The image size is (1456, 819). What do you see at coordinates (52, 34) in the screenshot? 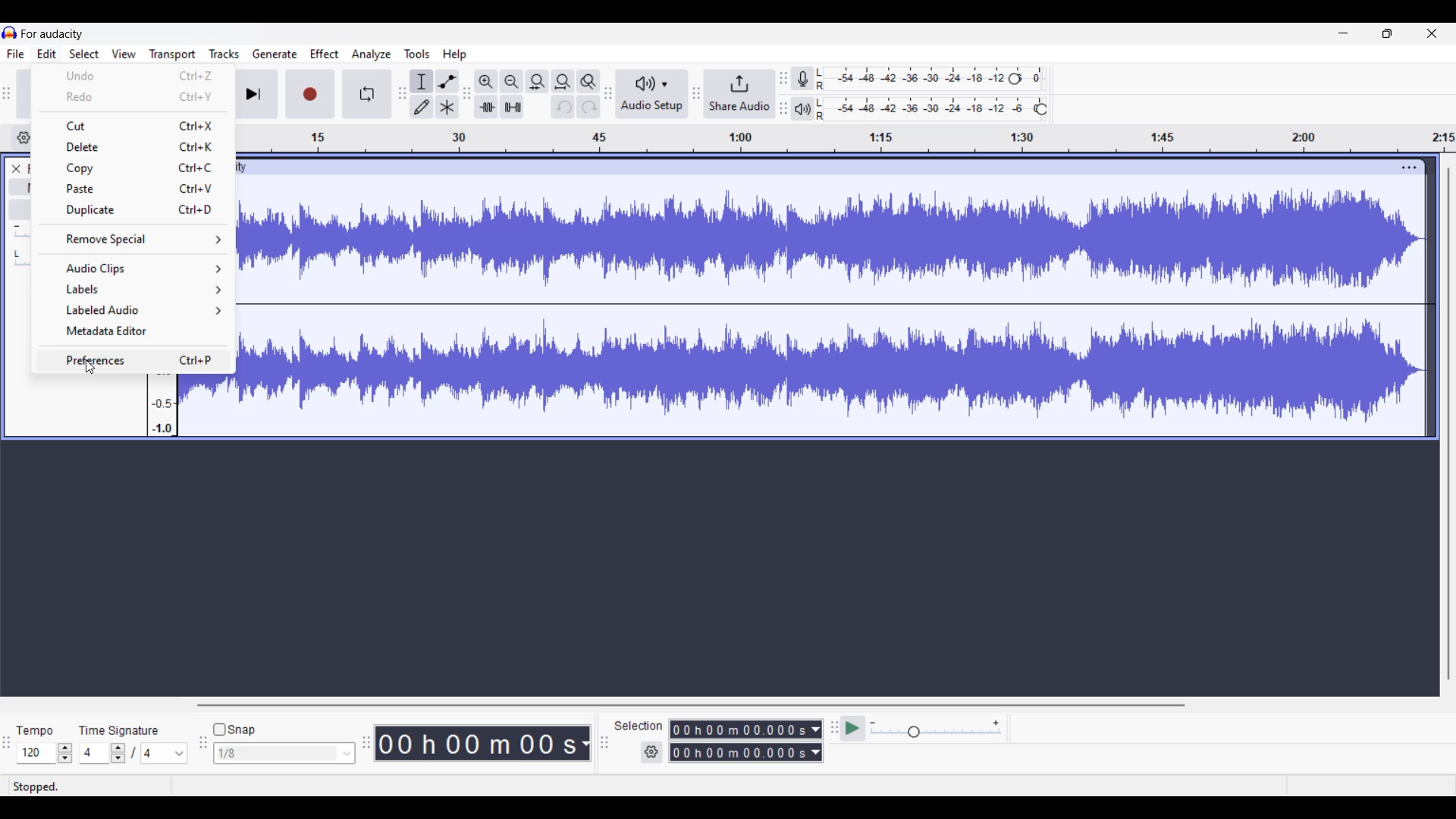
I see `Current project name` at bounding box center [52, 34].